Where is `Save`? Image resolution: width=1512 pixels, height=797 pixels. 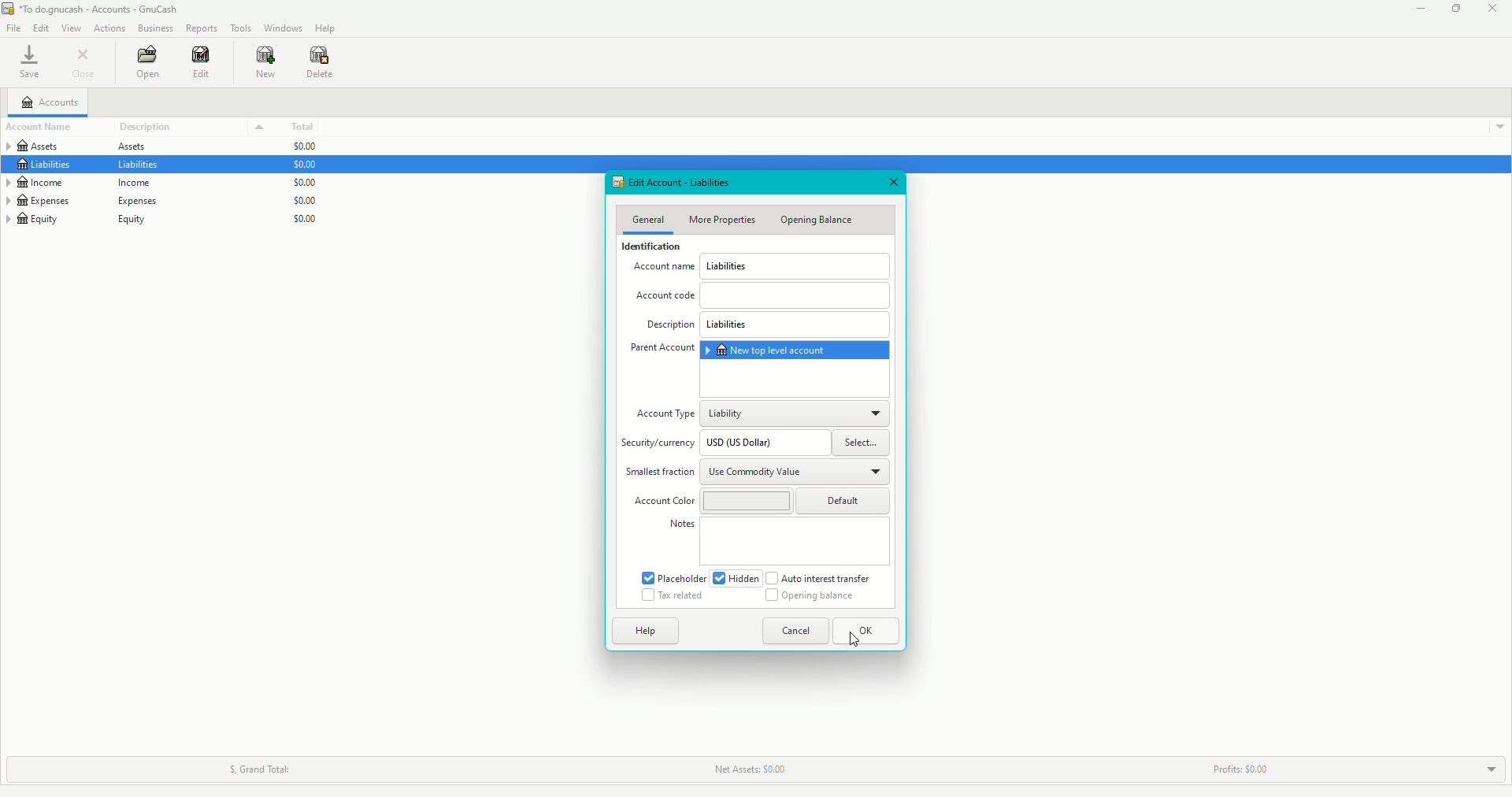
Save is located at coordinates (30, 63).